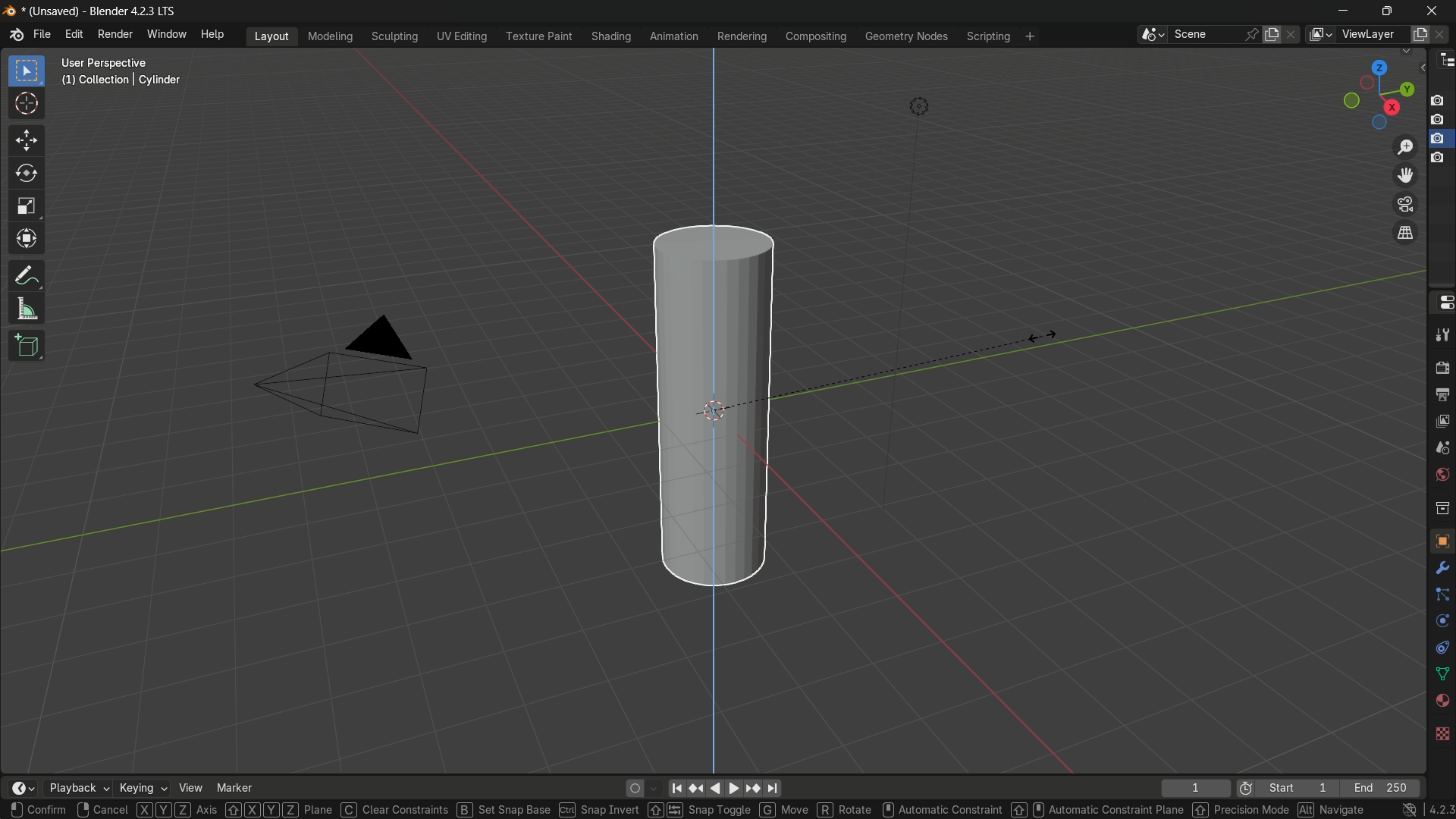 The image size is (1456, 819). What do you see at coordinates (1441, 676) in the screenshot?
I see `data` at bounding box center [1441, 676].